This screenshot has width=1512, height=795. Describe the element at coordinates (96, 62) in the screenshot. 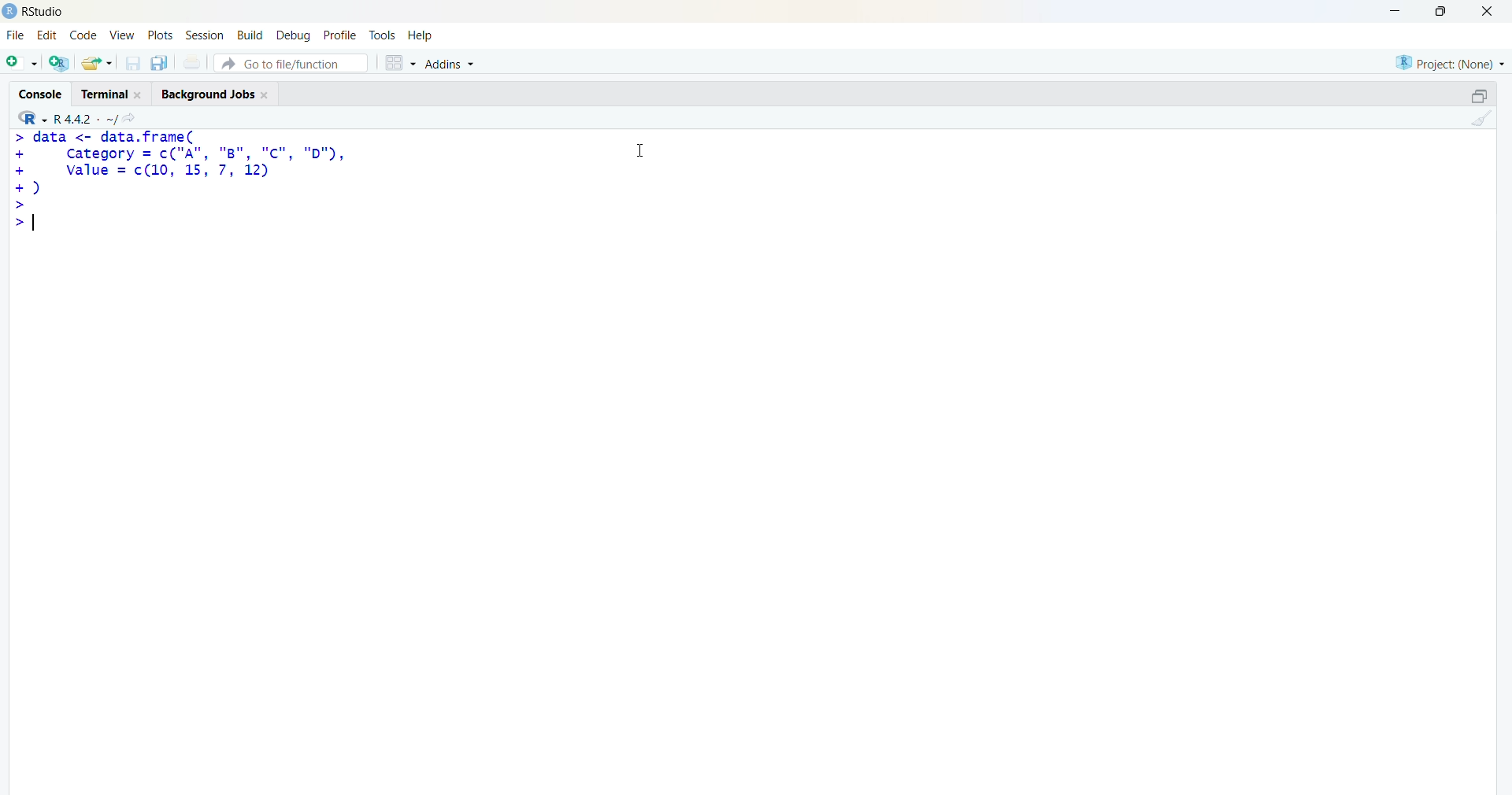

I see `open an existing file` at that location.